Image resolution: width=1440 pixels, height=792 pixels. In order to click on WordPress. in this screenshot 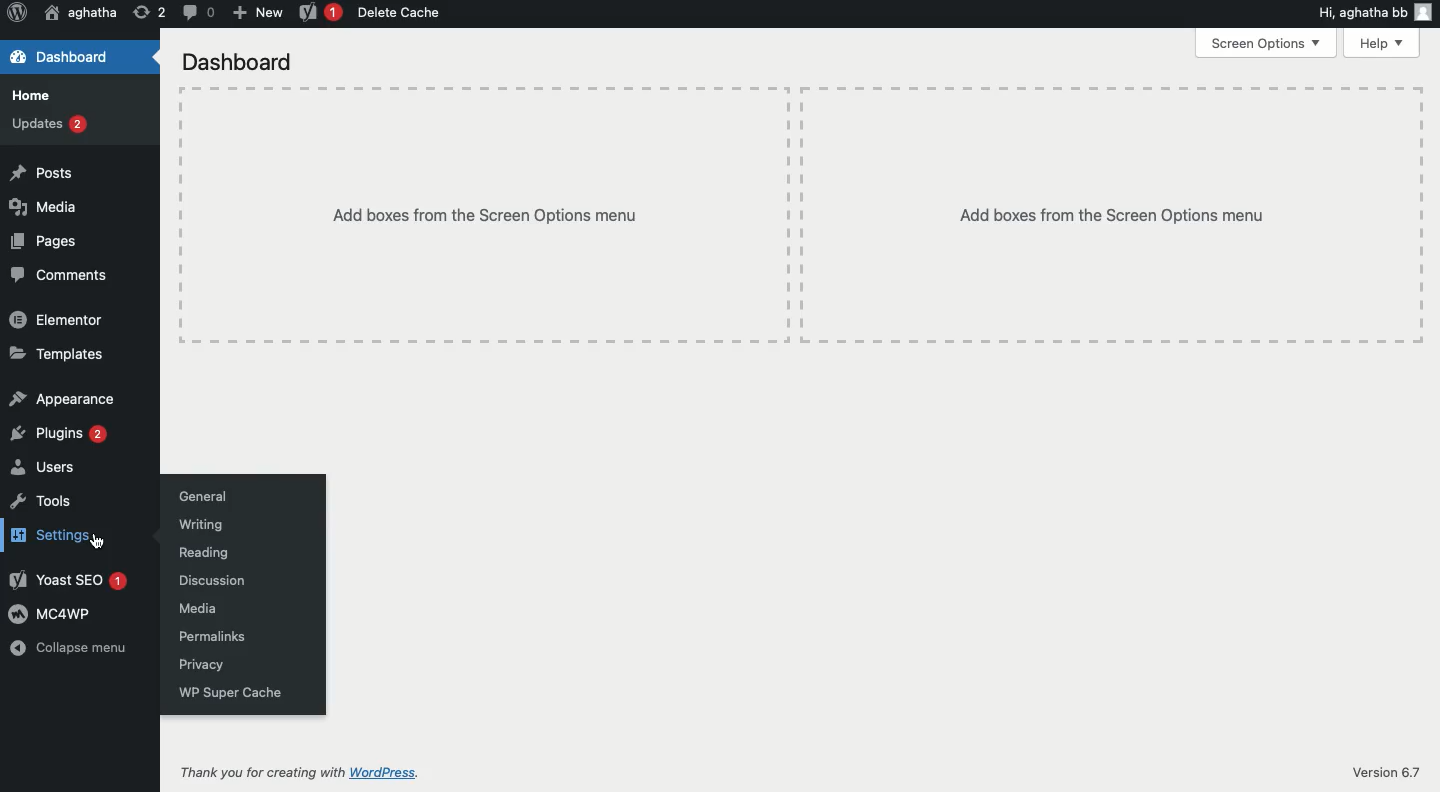, I will do `click(403, 771)`.